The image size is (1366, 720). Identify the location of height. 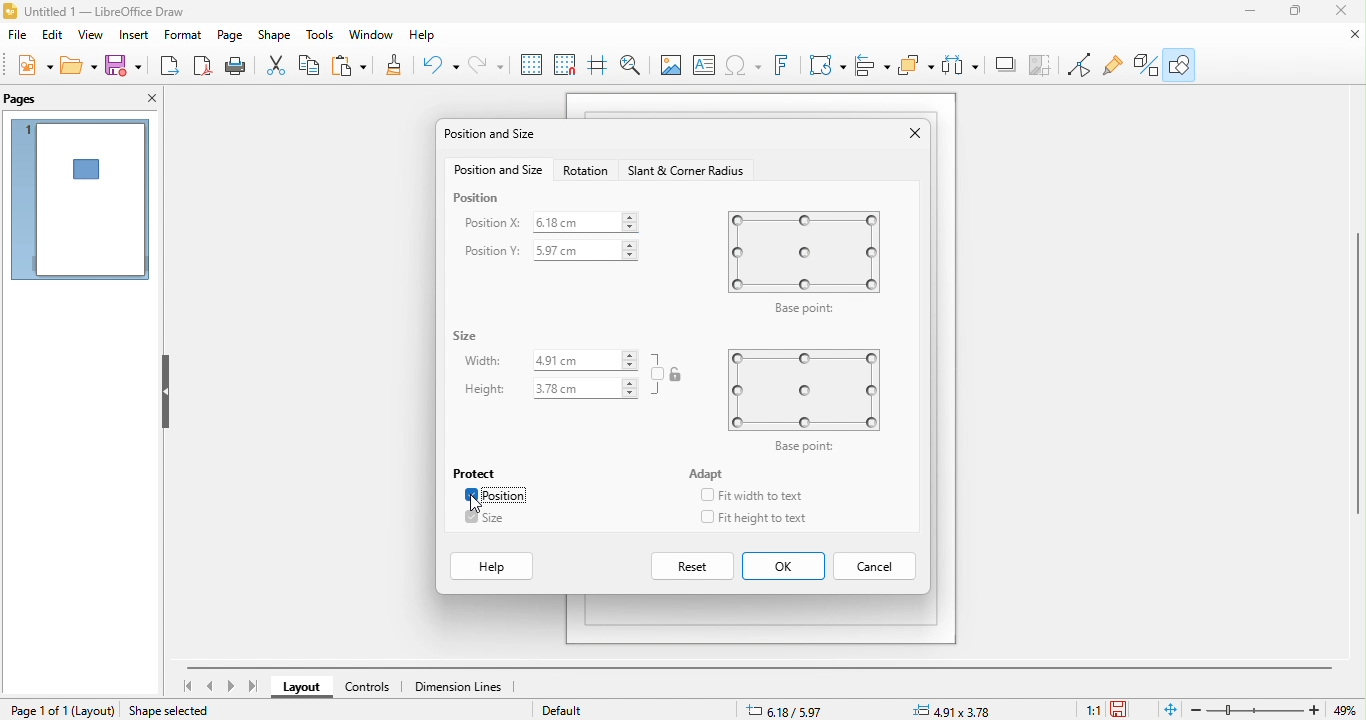
(485, 390).